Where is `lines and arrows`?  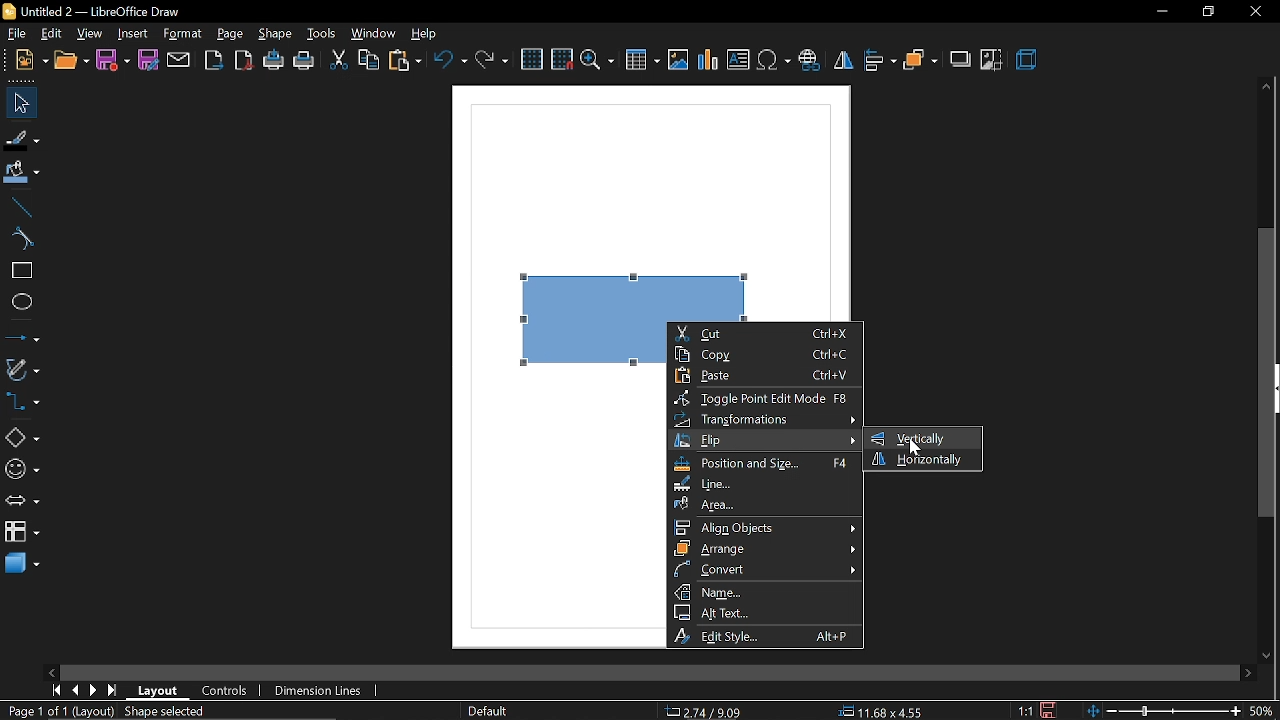 lines and arrows is located at coordinates (22, 336).